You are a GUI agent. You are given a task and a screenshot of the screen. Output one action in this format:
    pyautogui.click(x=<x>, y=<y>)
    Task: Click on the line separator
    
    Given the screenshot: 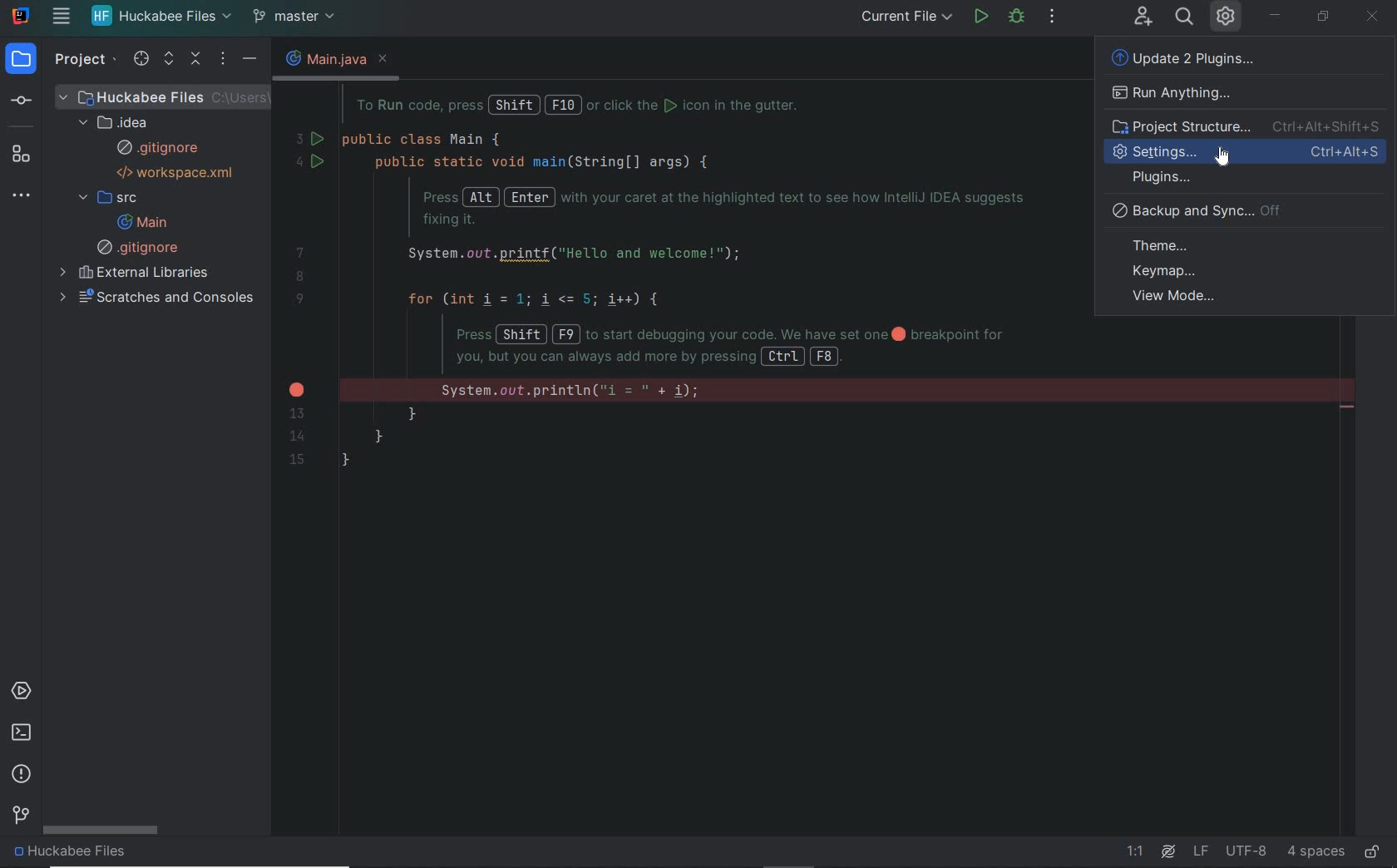 What is the action you would take?
    pyautogui.click(x=1200, y=851)
    